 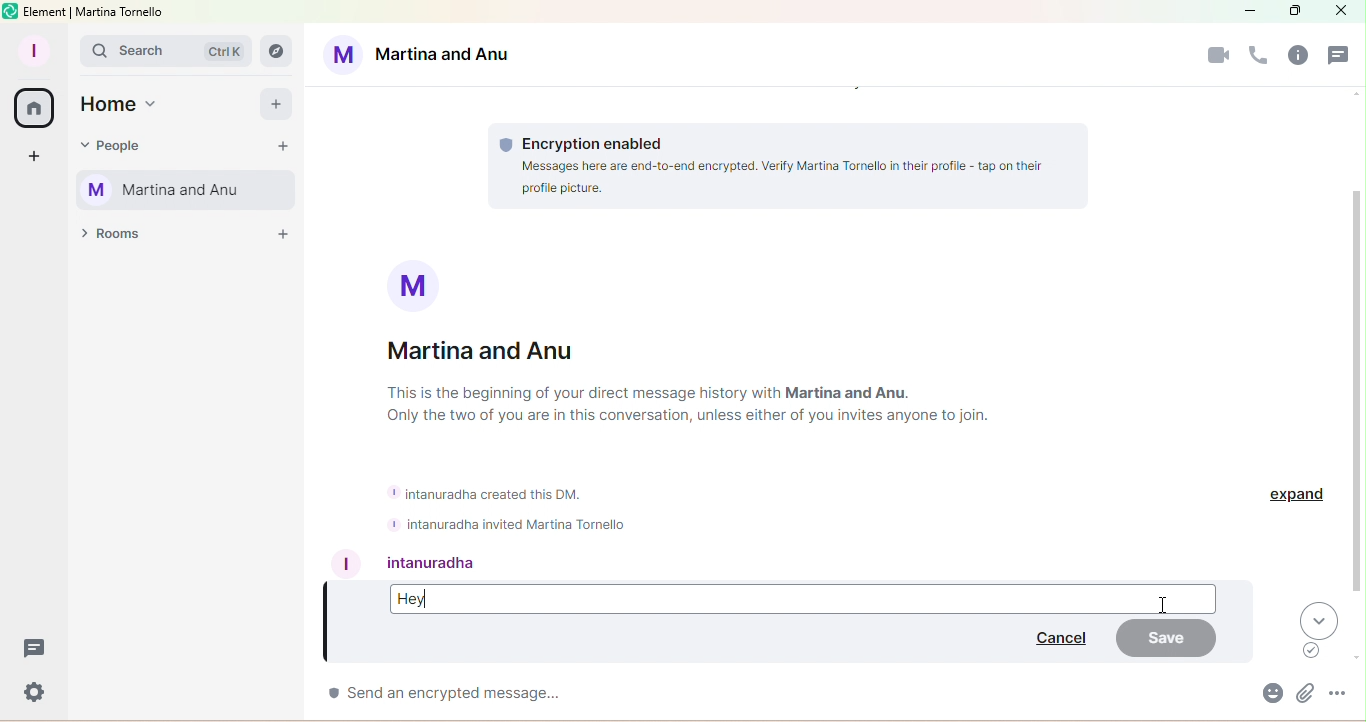 What do you see at coordinates (165, 53) in the screenshot?
I see `Search bar` at bounding box center [165, 53].